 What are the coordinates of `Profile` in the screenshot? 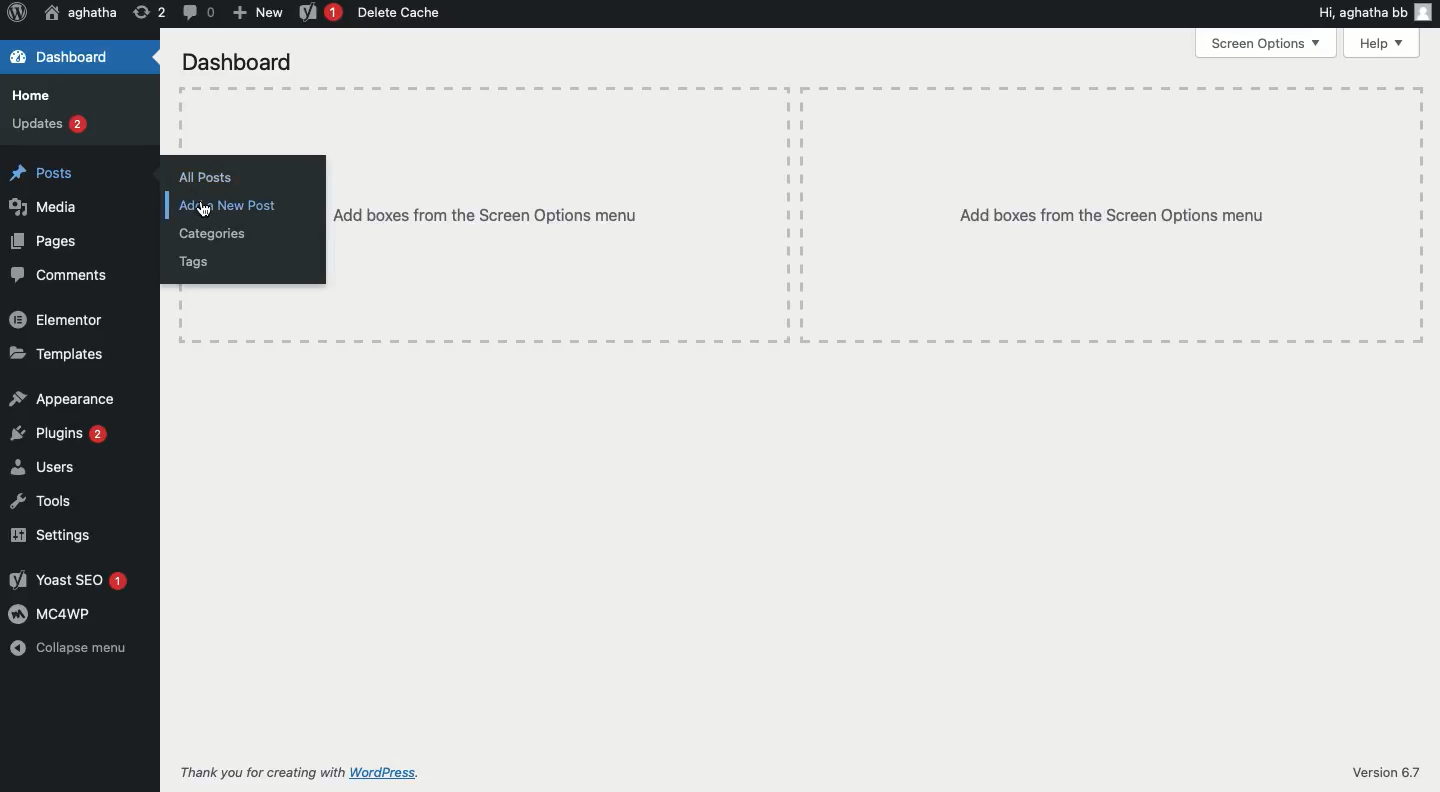 It's located at (1425, 14).